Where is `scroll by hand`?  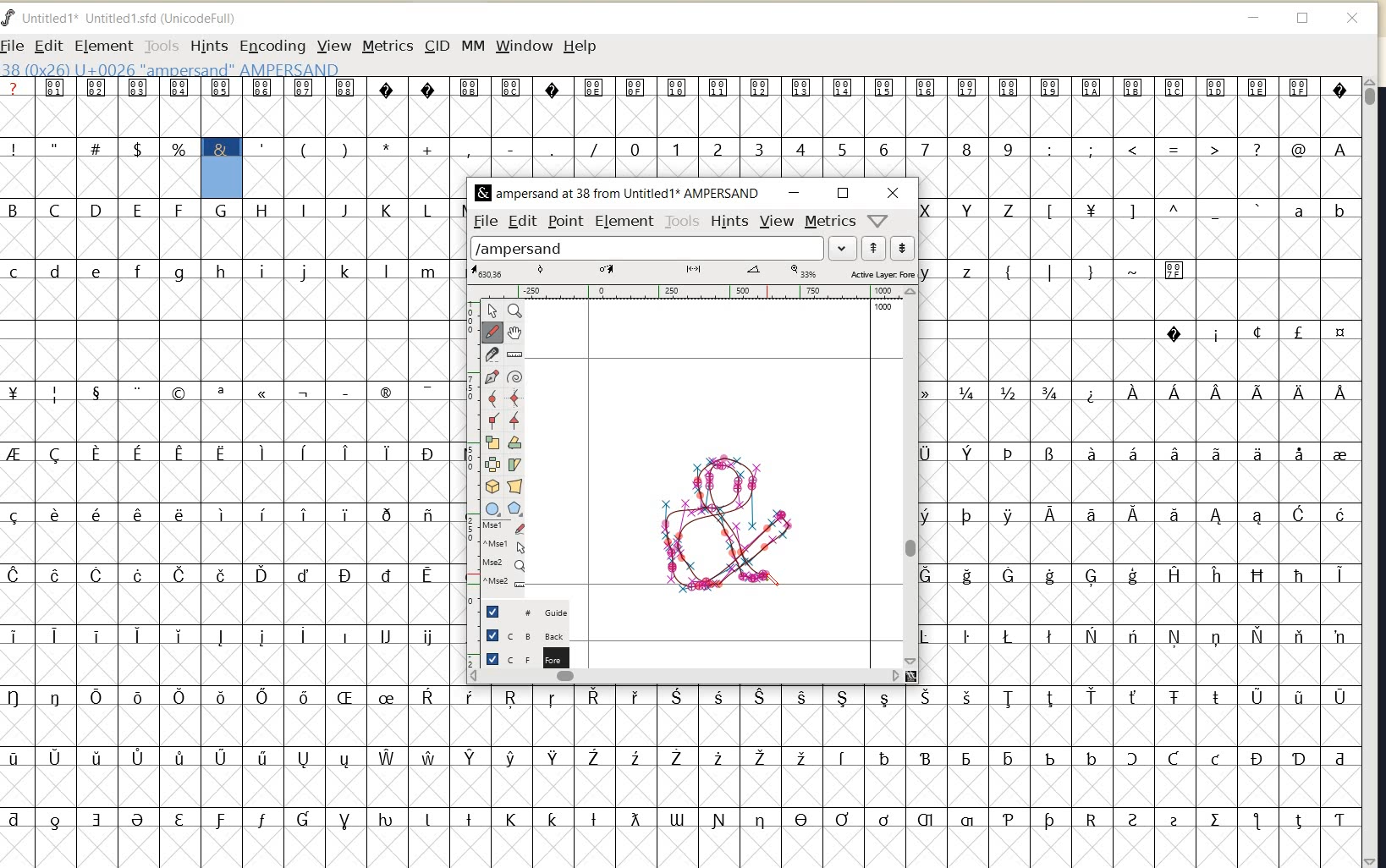 scroll by hand is located at coordinates (514, 333).